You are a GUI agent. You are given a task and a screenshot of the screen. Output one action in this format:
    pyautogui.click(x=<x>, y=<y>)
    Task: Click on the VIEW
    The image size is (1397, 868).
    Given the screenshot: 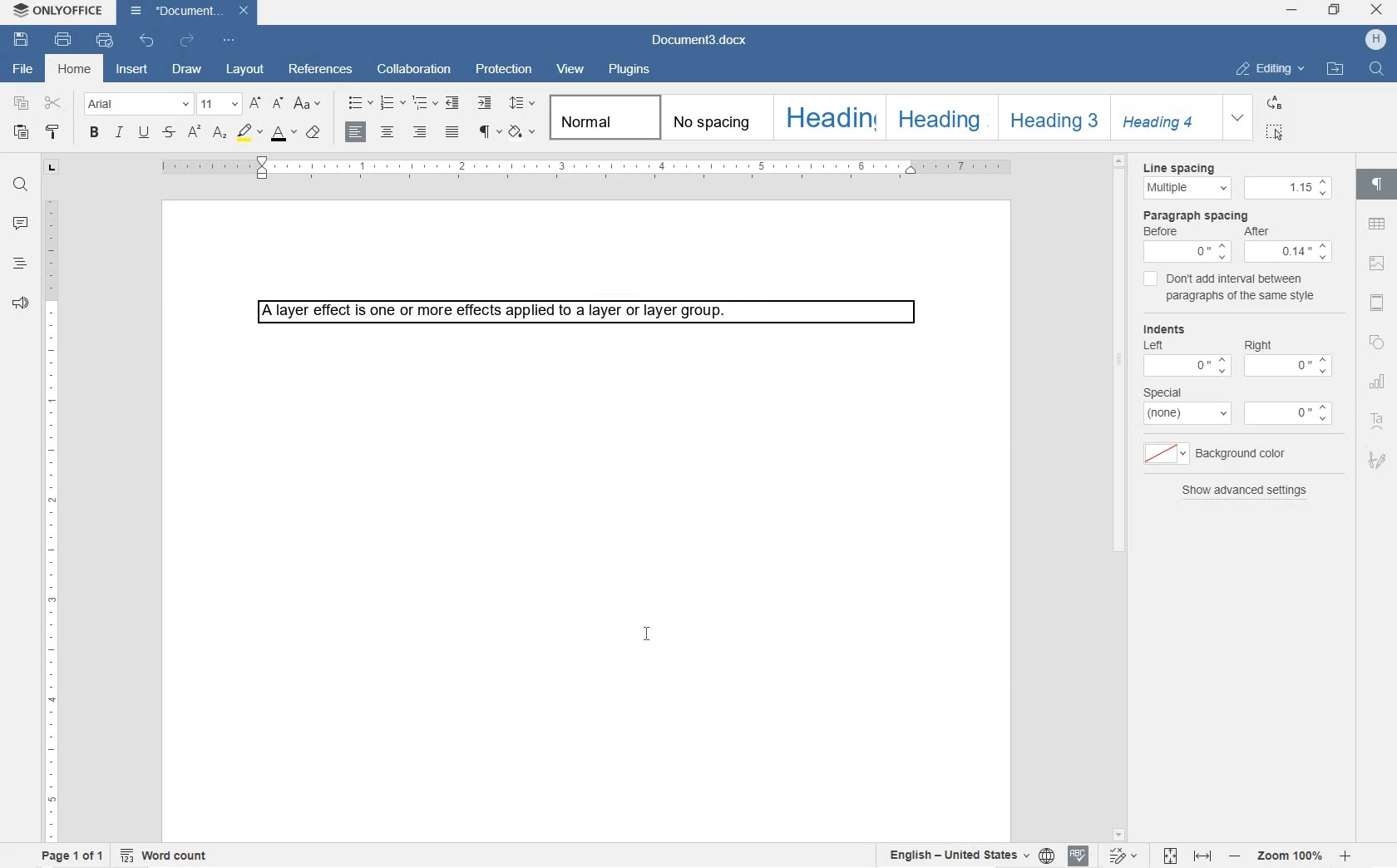 What is the action you would take?
    pyautogui.click(x=572, y=68)
    